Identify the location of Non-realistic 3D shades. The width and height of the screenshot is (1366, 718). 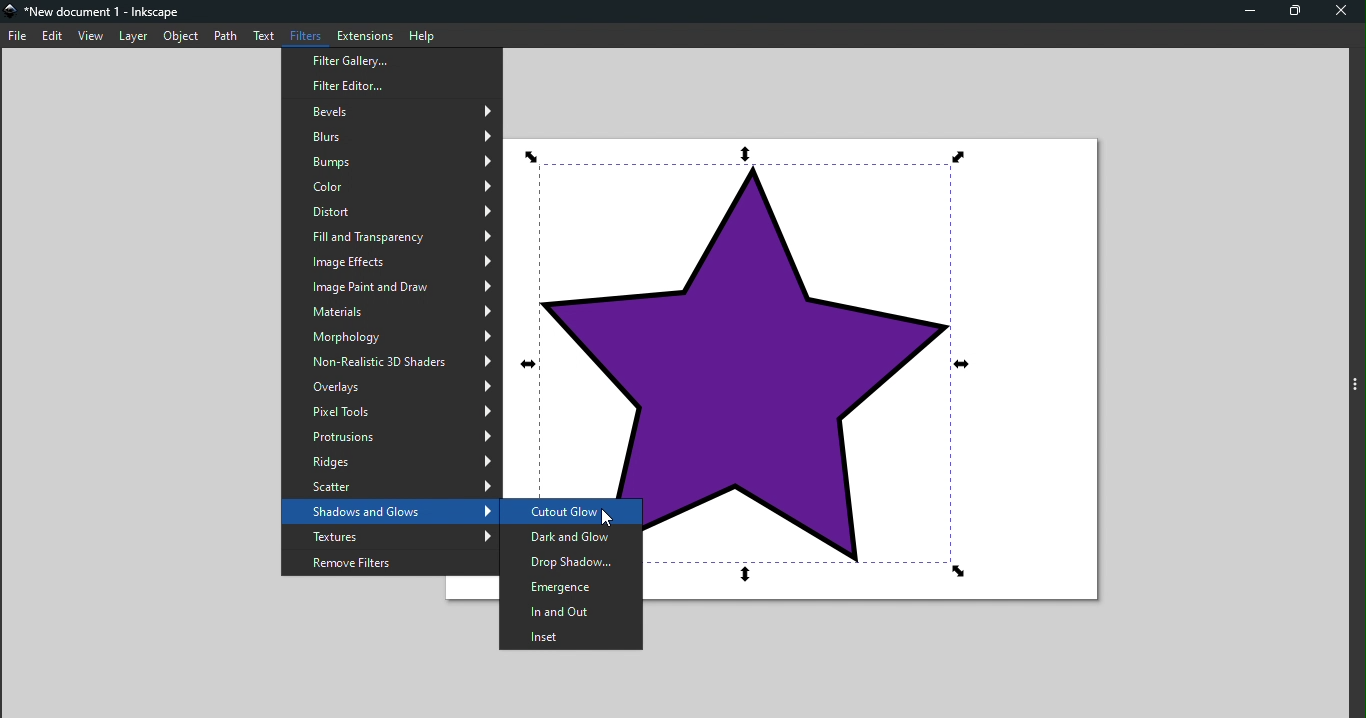
(390, 361).